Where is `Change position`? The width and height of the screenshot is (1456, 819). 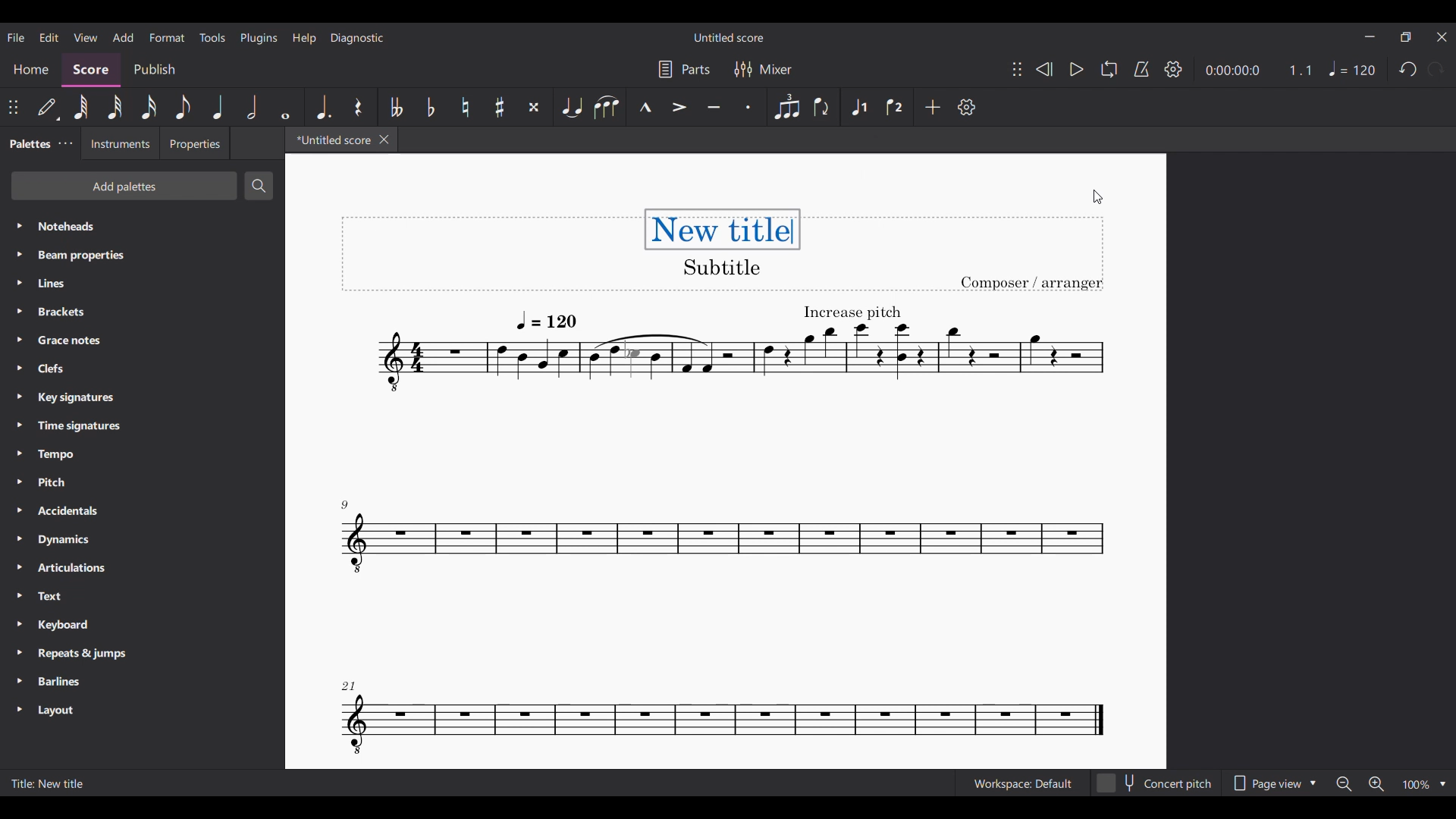
Change position is located at coordinates (1018, 69).